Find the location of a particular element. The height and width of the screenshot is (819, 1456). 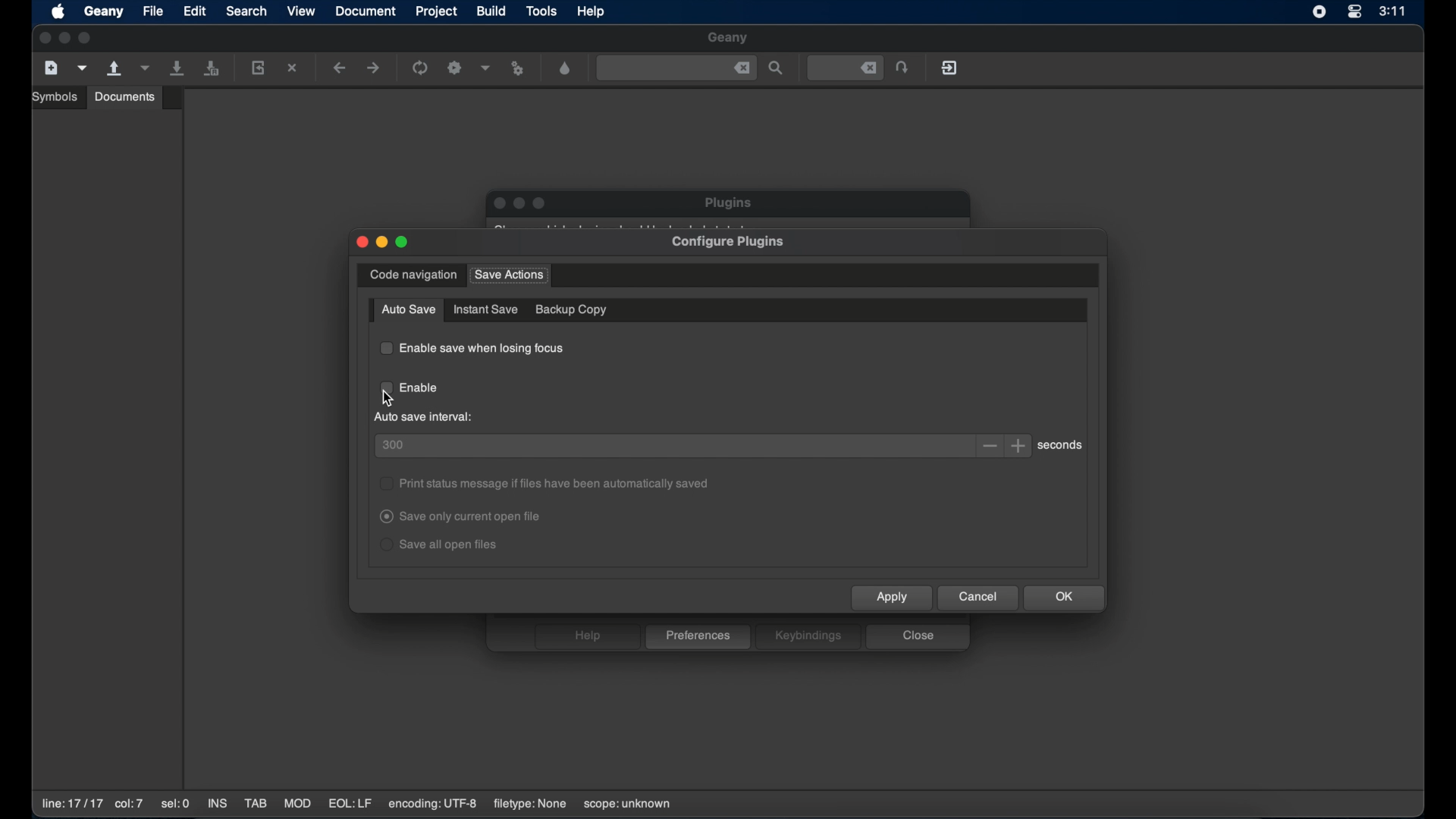

save action is located at coordinates (509, 275).